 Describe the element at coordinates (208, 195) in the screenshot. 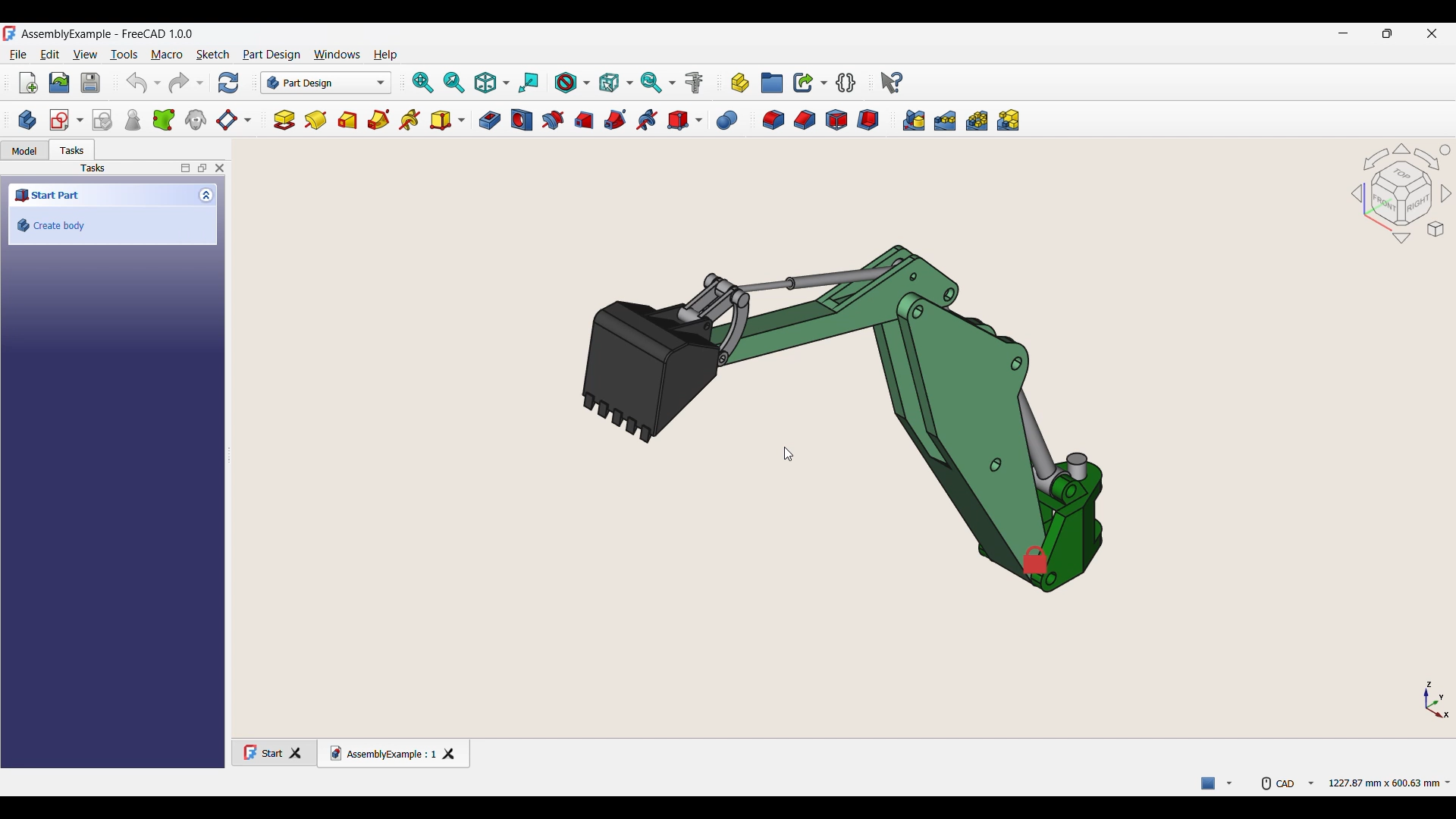

I see `Collapse` at that location.